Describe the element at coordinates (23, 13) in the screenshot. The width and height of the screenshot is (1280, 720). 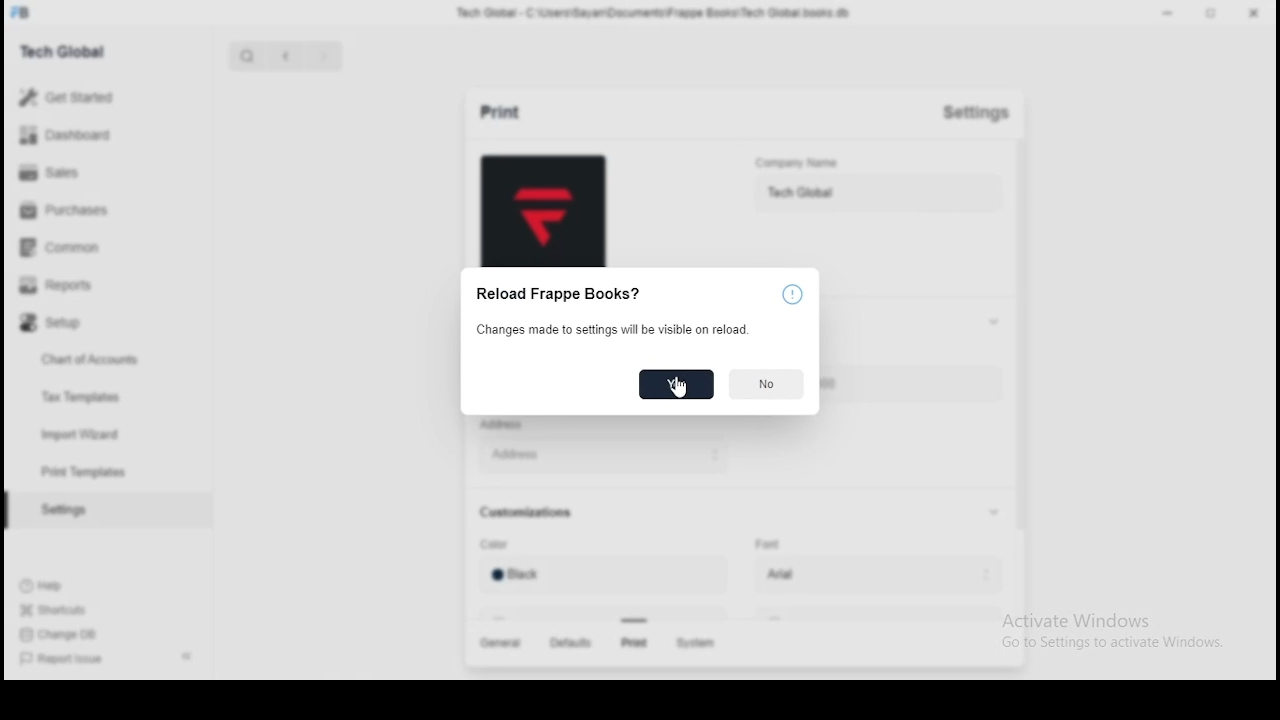
I see `Frappe Books logo` at that location.